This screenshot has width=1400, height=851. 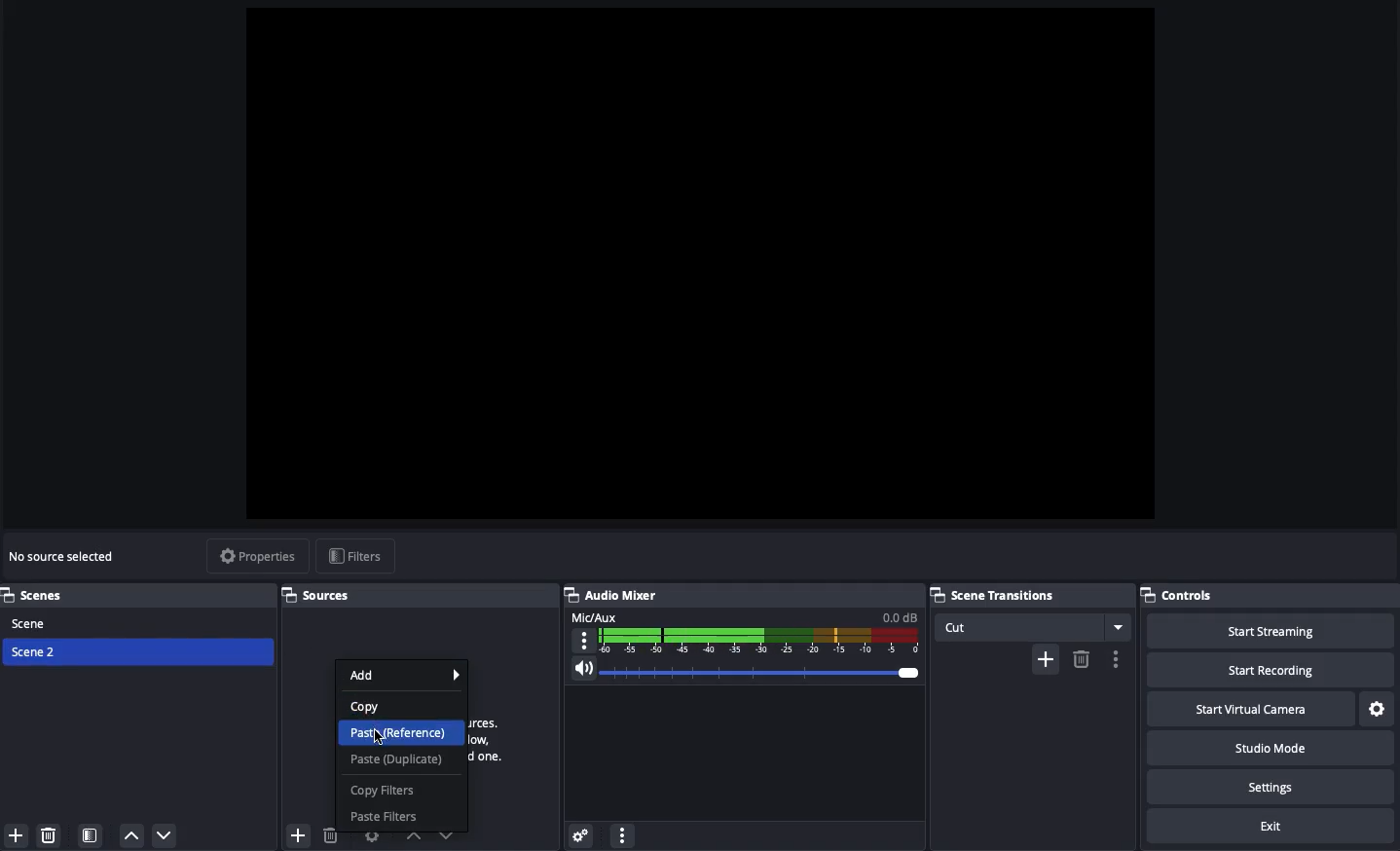 I want to click on Volume, so click(x=747, y=669).